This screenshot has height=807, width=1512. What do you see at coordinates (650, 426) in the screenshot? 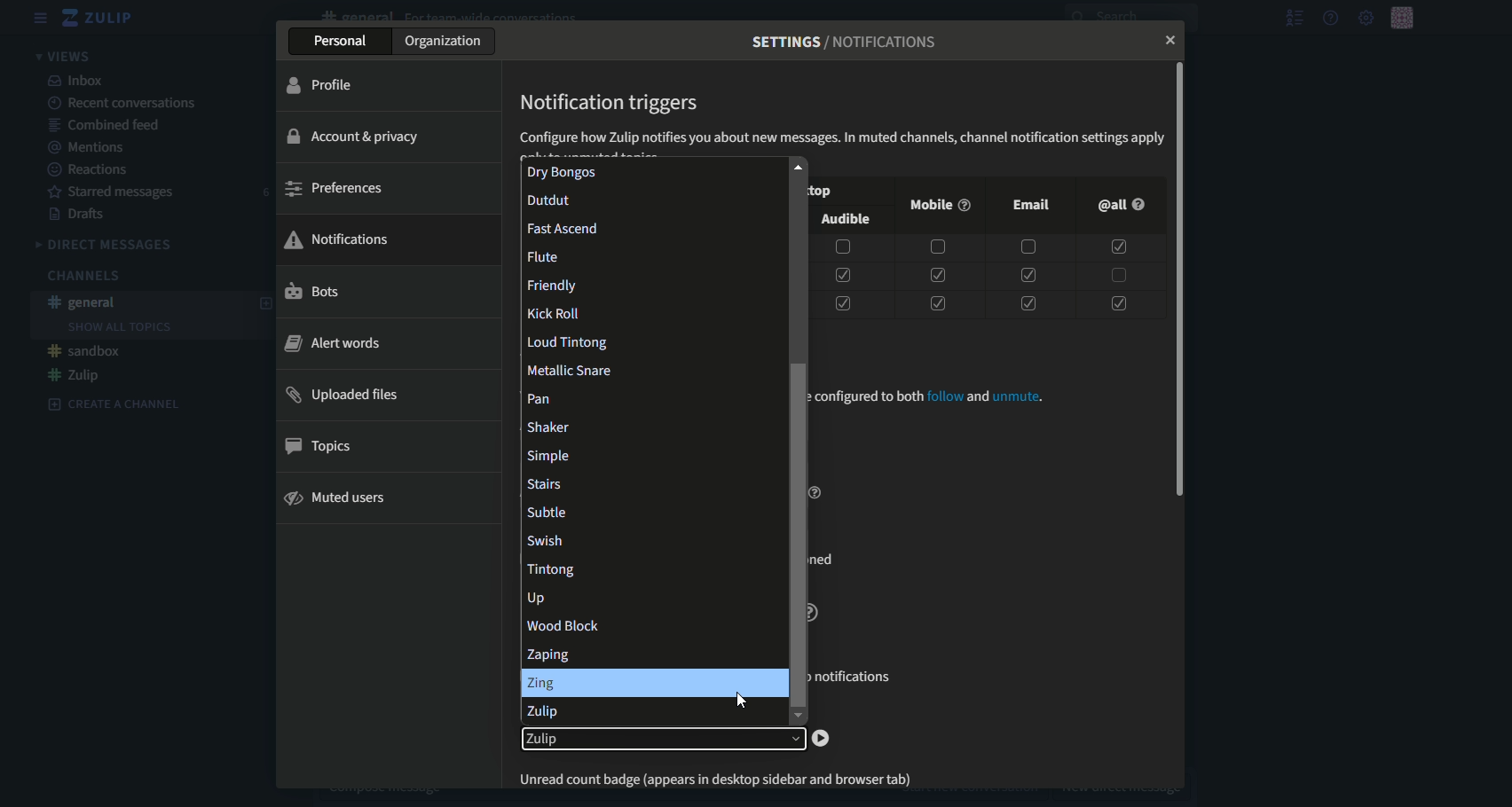
I see `shaker` at bounding box center [650, 426].